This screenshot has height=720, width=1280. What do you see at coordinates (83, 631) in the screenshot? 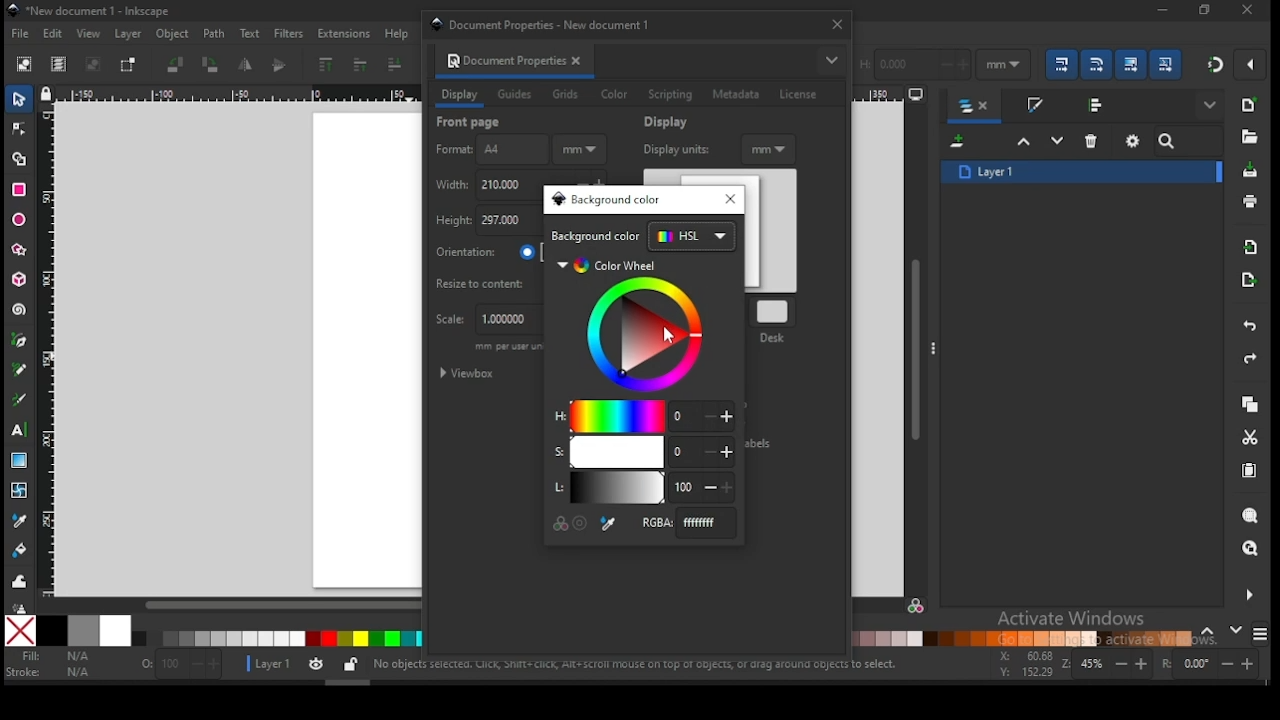
I see `50% grey` at bounding box center [83, 631].